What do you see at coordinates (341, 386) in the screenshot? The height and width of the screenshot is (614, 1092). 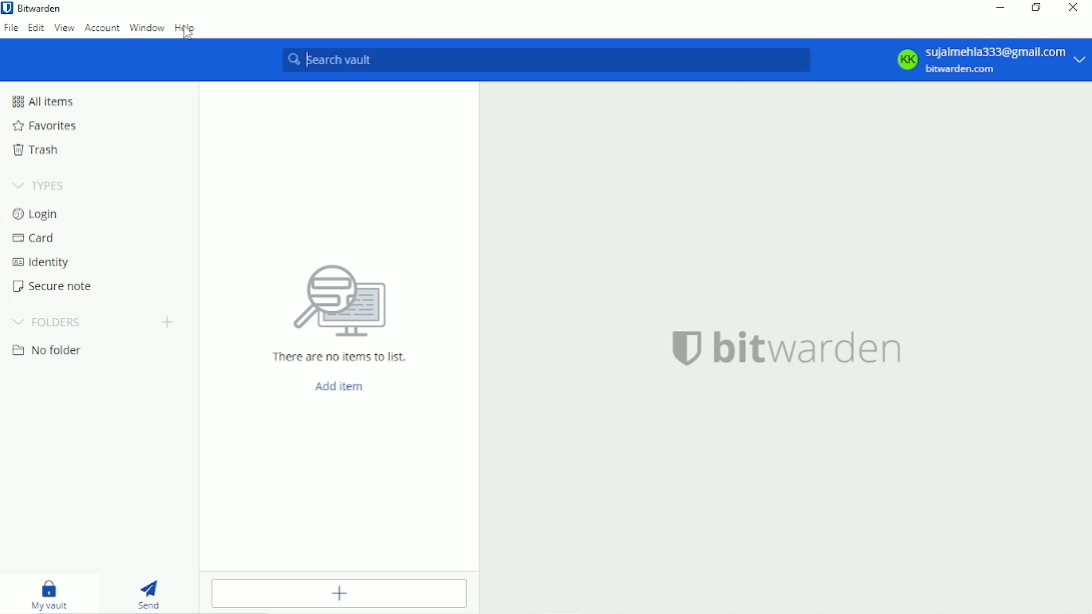 I see `Add item` at bounding box center [341, 386].